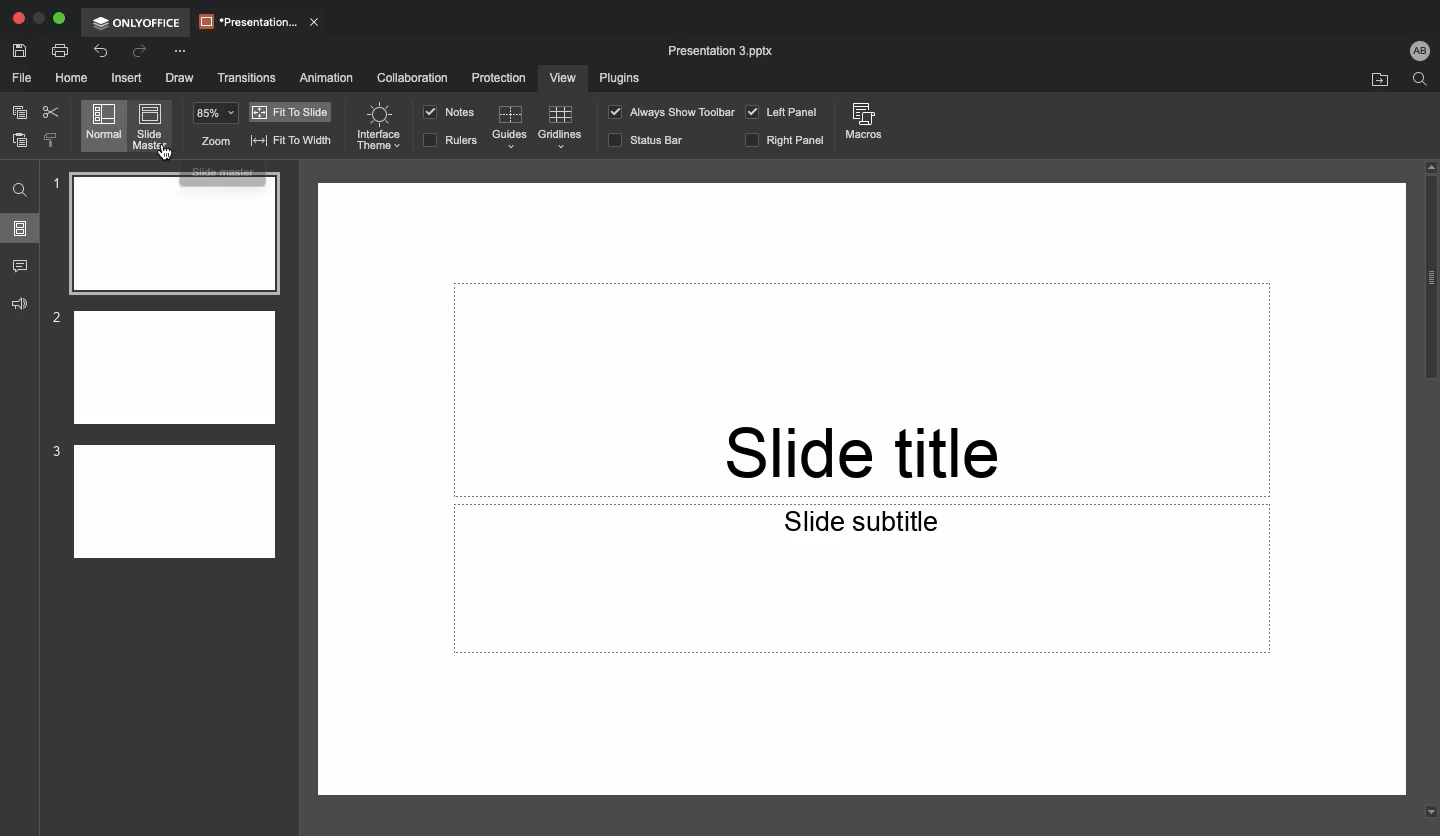 The height and width of the screenshot is (836, 1440). Describe the element at coordinates (377, 128) in the screenshot. I see `Interface theme` at that location.